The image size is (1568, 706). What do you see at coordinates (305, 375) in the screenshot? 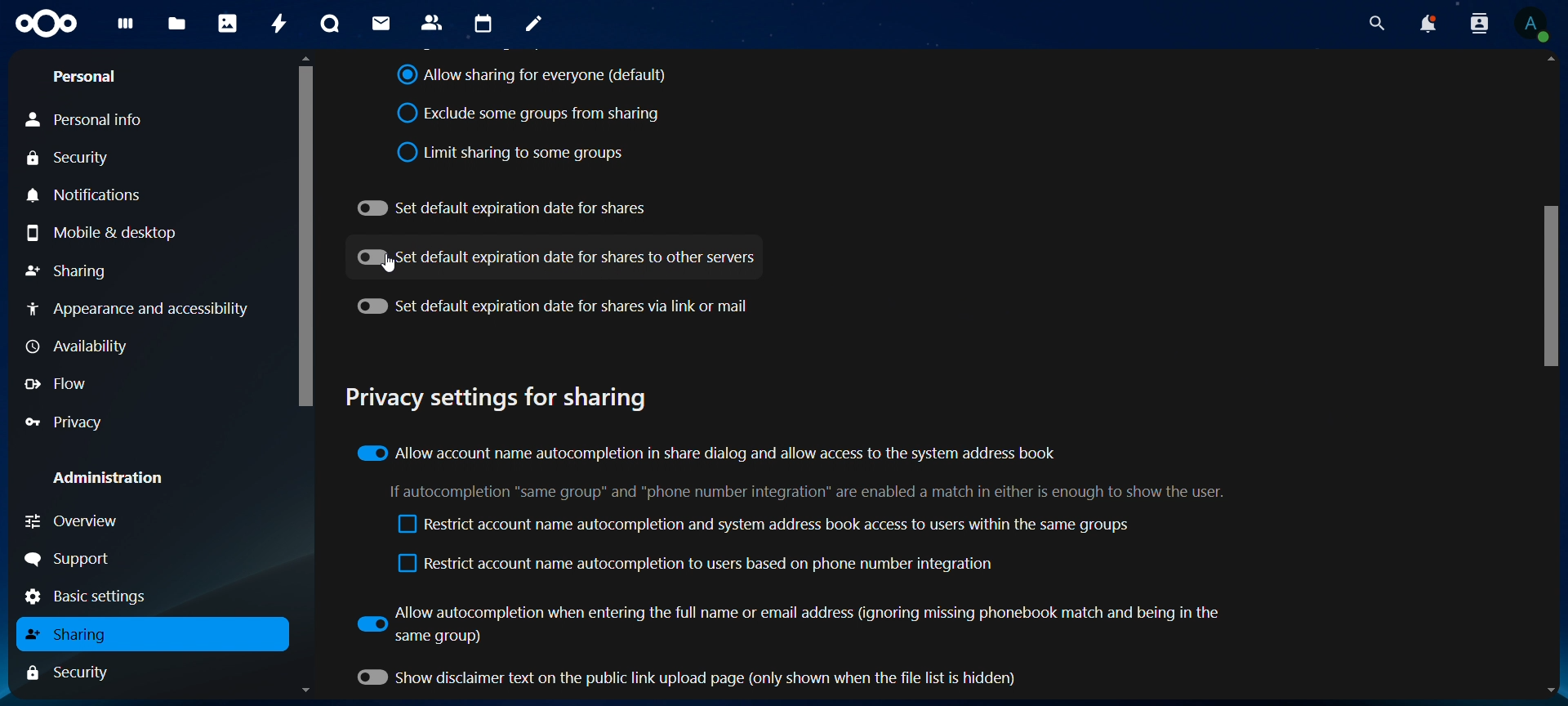
I see `Scrollbar` at bounding box center [305, 375].